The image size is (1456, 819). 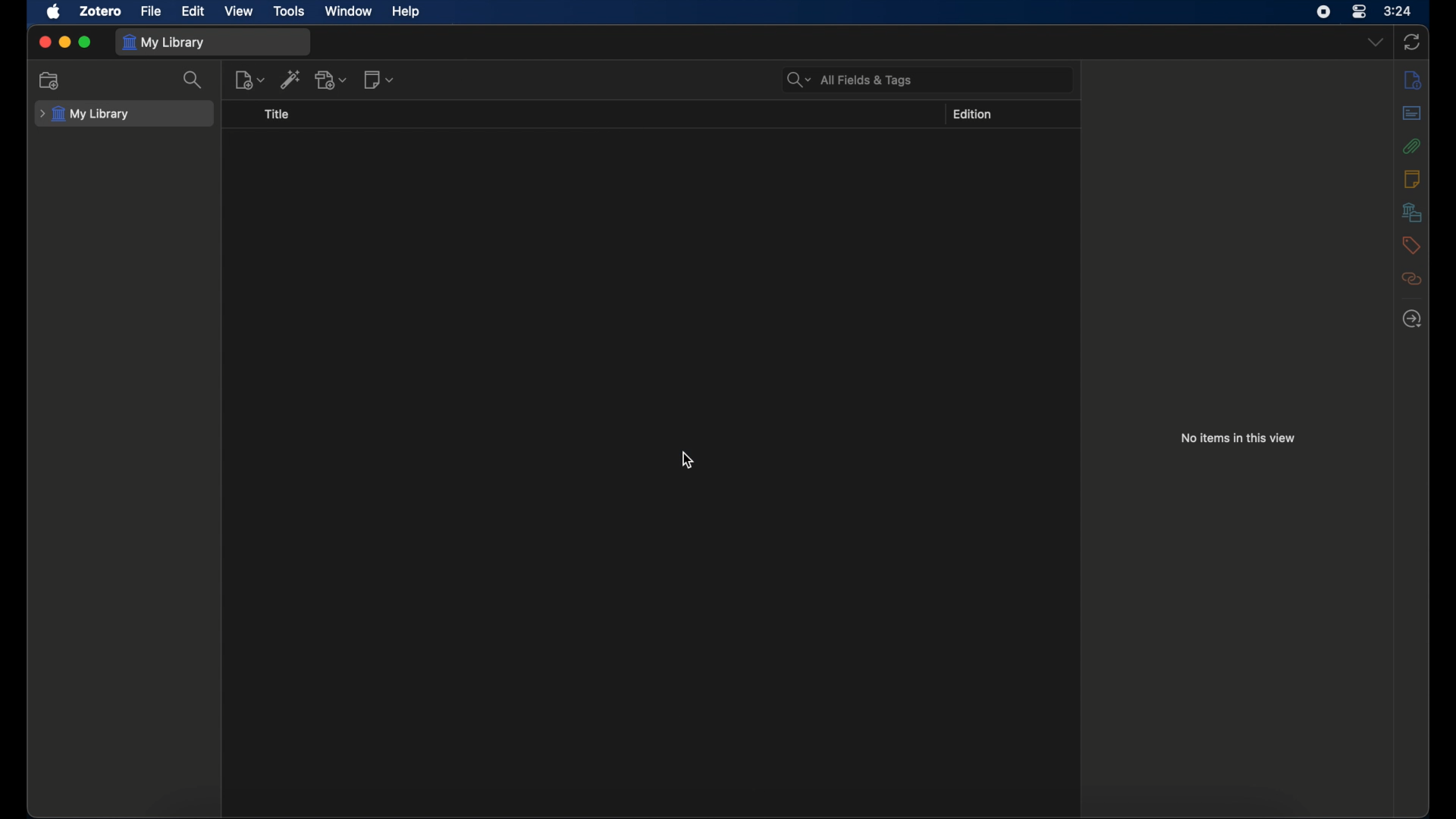 What do you see at coordinates (1412, 146) in the screenshot?
I see `attachments` at bounding box center [1412, 146].